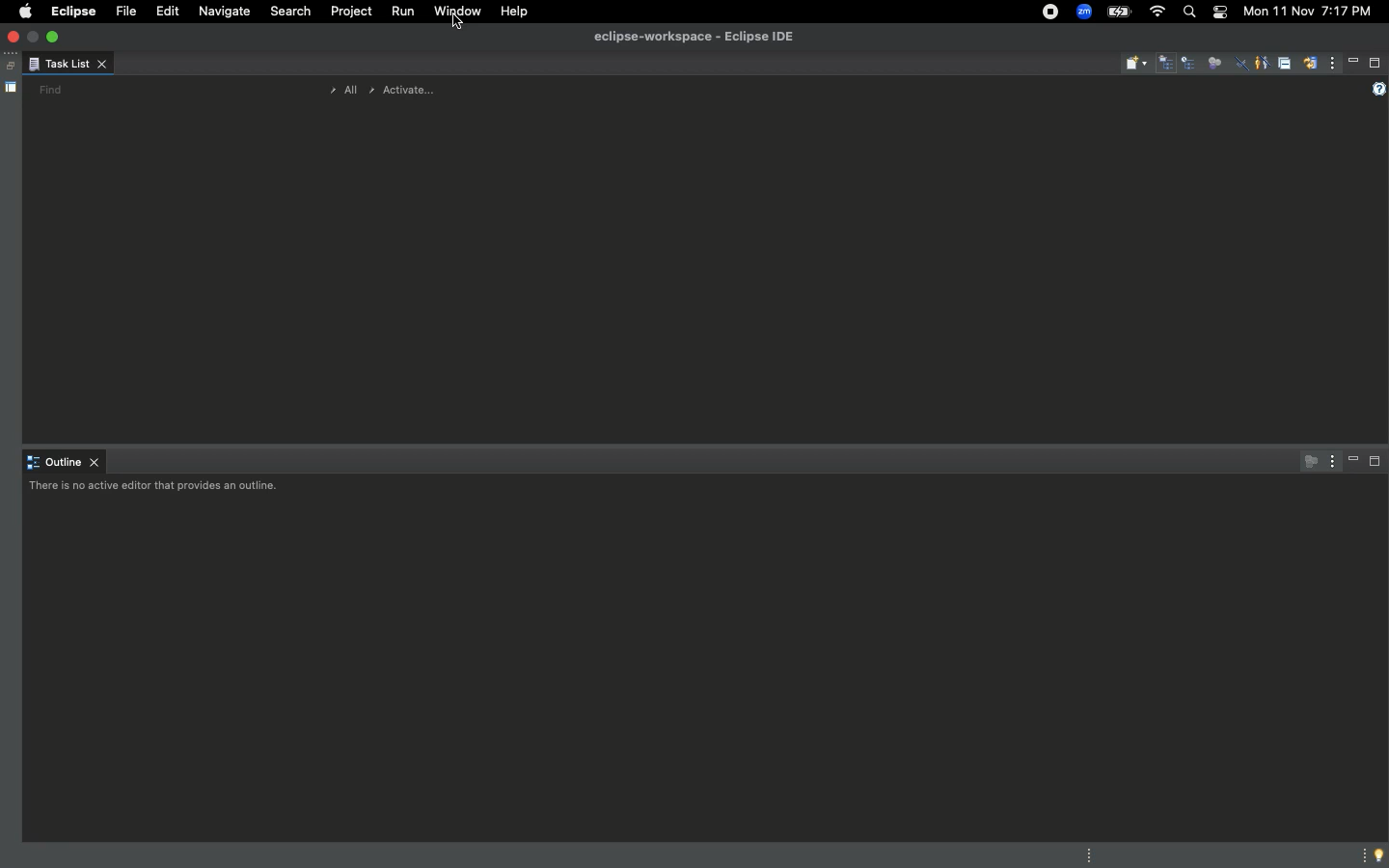 Image resolution: width=1389 pixels, height=868 pixels. Describe the element at coordinates (348, 14) in the screenshot. I see `Project` at that location.